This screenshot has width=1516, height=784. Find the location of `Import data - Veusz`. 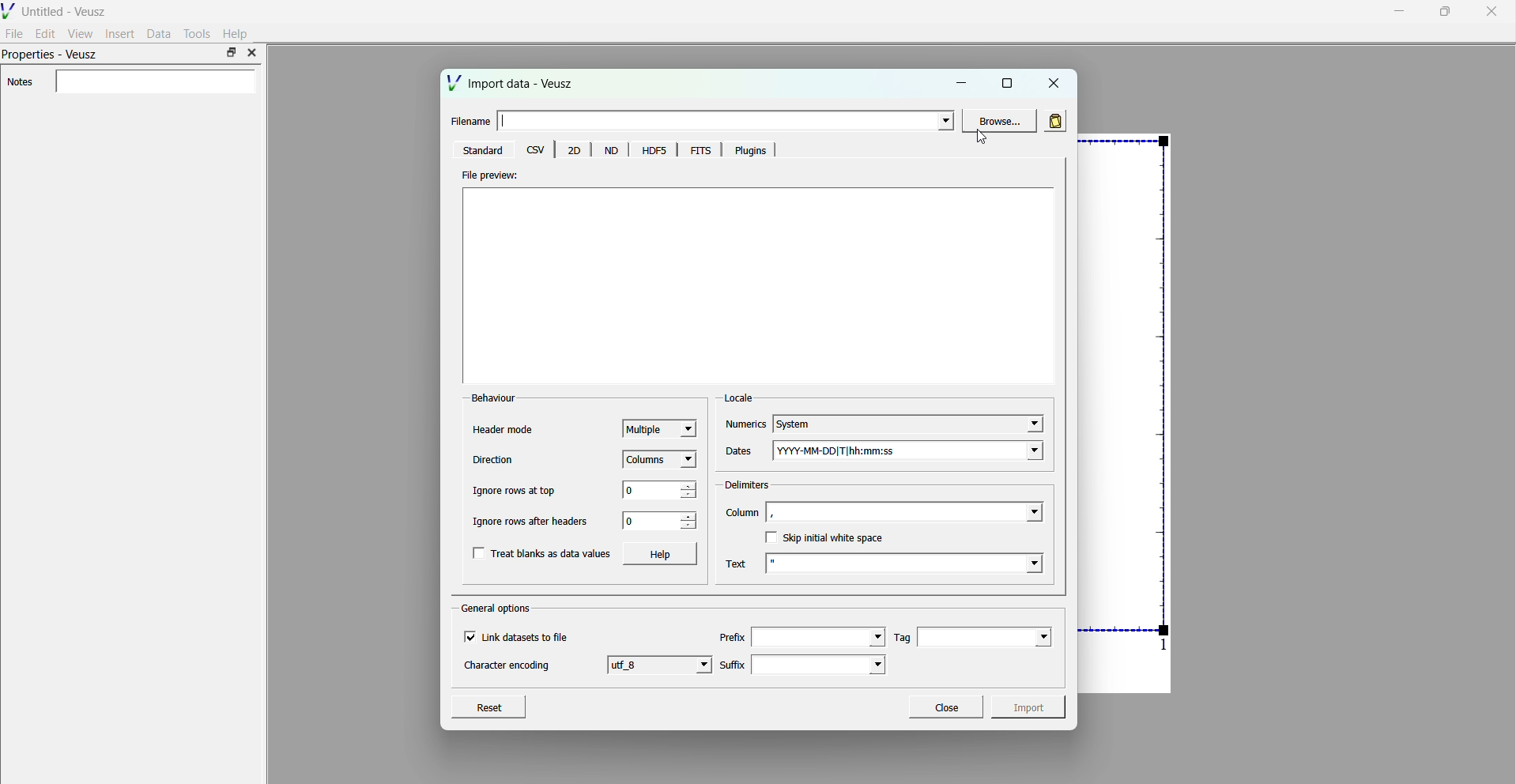

Import data - Veusz is located at coordinates (512, 83).